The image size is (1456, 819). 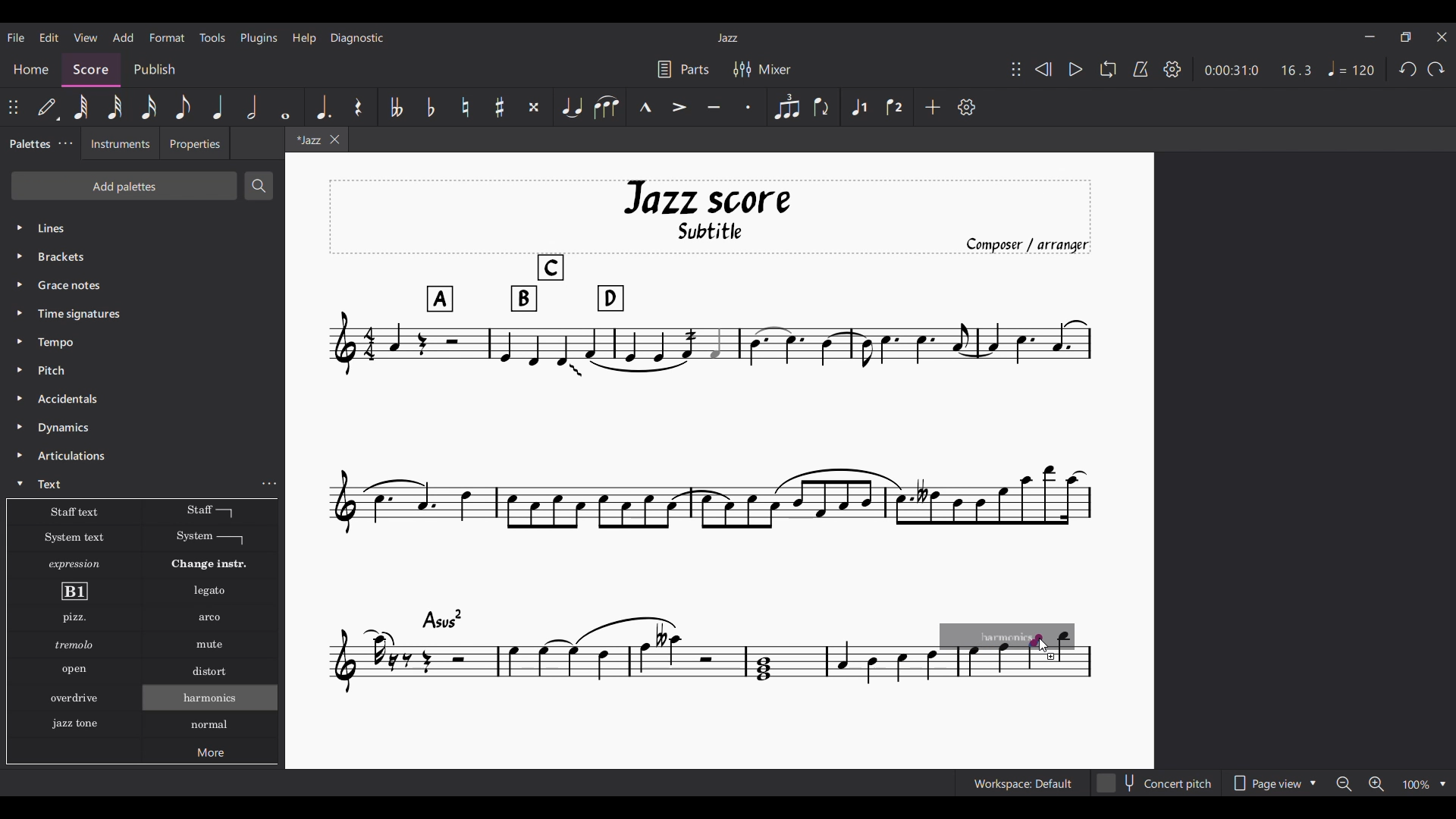 What do you see at coordinates (1258, 70) in the screenshot?
I see `Current duration and ratio` at bounding box center [1258, 70].